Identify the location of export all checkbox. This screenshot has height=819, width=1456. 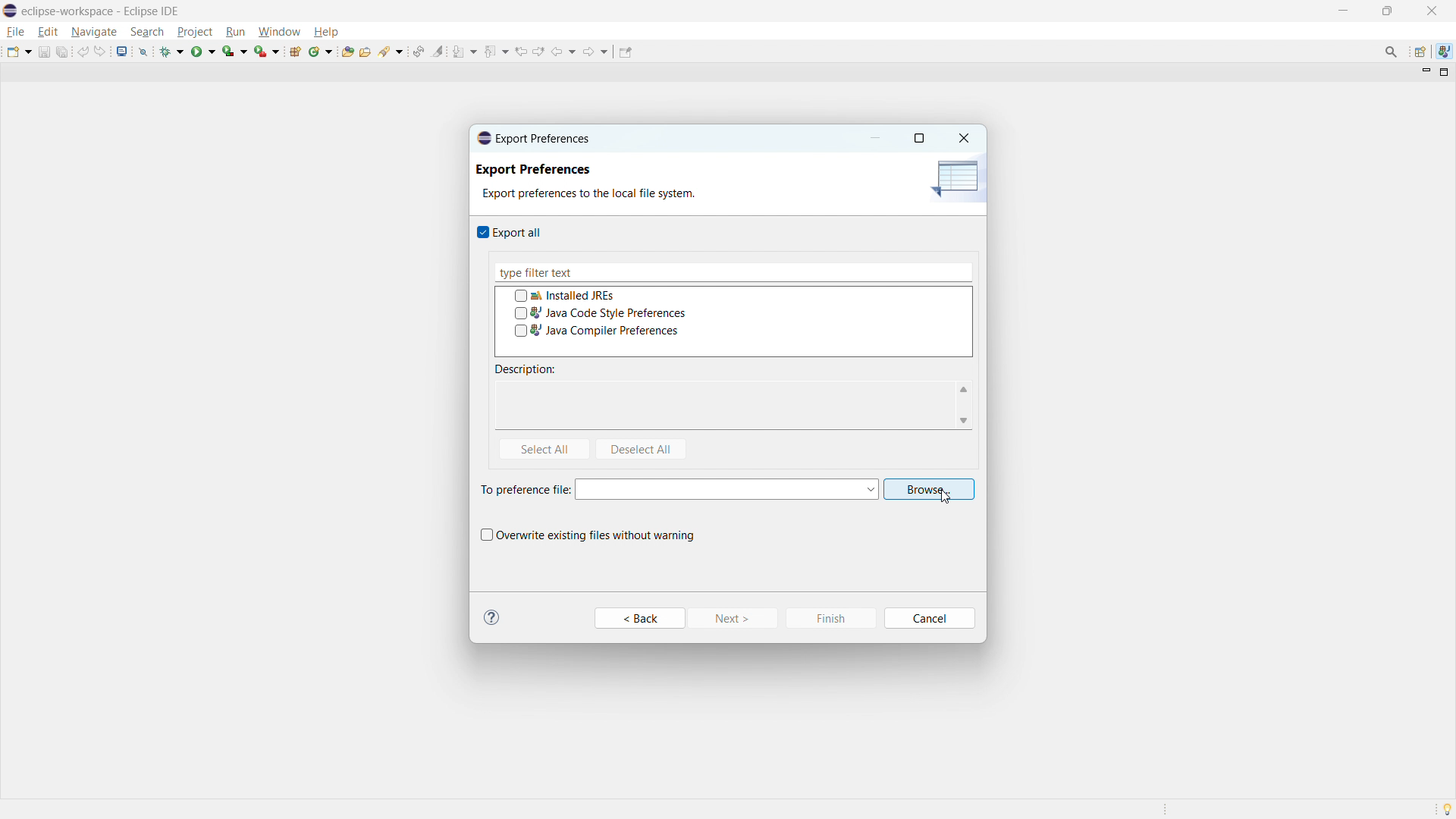
(511, 233).